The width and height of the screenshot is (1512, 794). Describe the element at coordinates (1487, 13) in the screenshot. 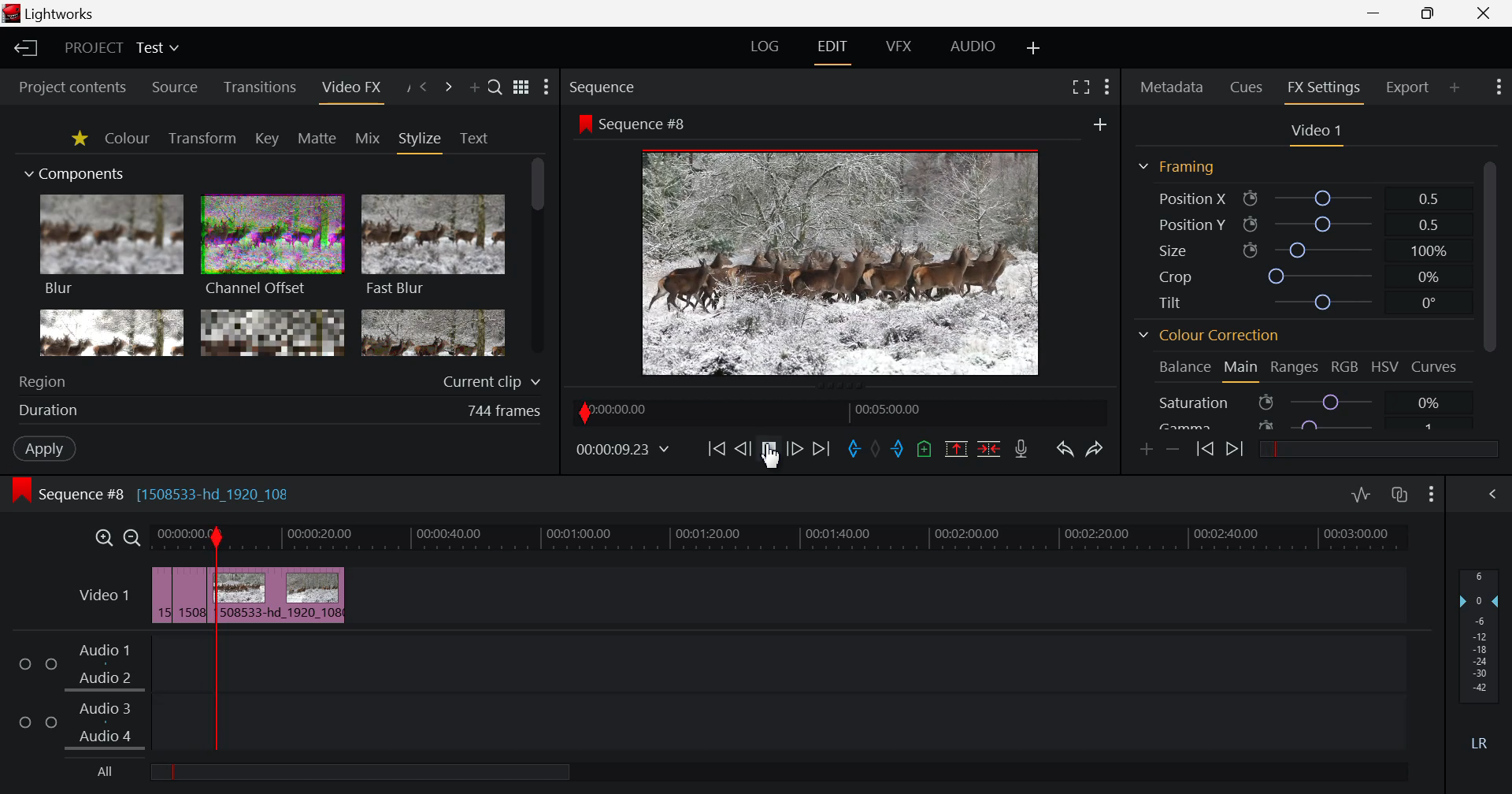

I see `Close` at that location.